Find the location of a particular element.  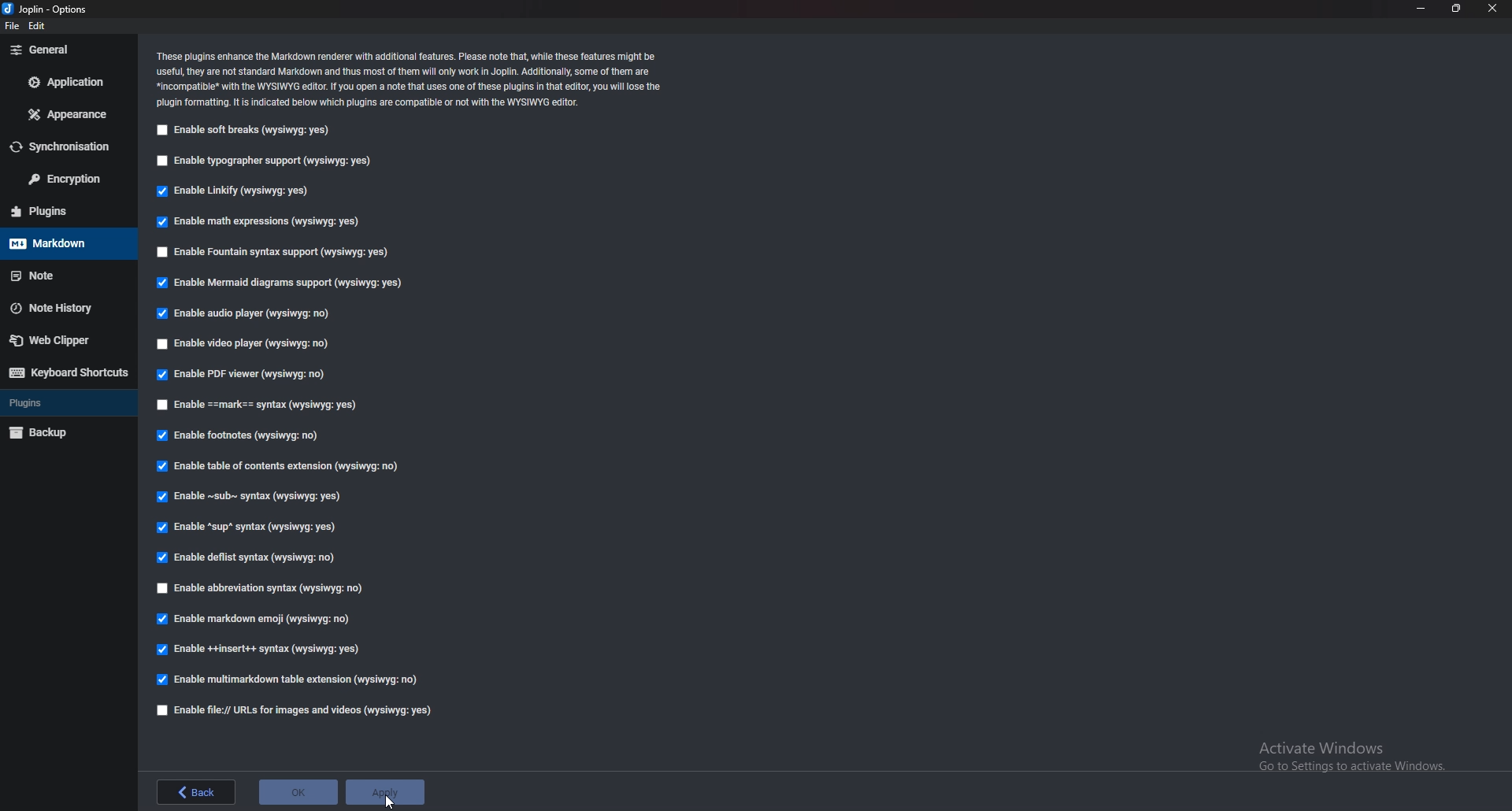

Enable video player (wysiqyg:no) is located at coordinates (245, 342).